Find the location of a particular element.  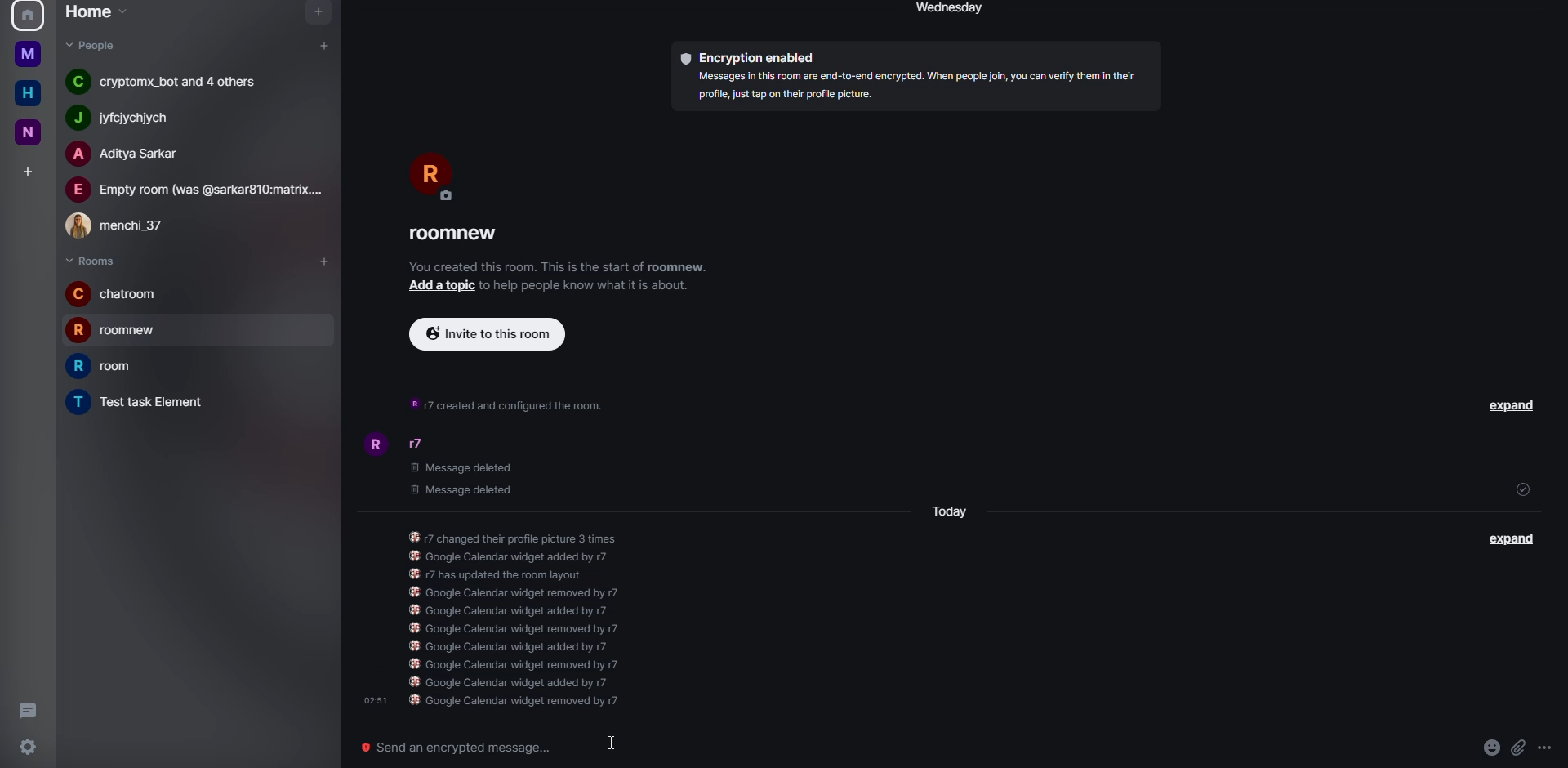

expand is located at coordinates (1510, 542).